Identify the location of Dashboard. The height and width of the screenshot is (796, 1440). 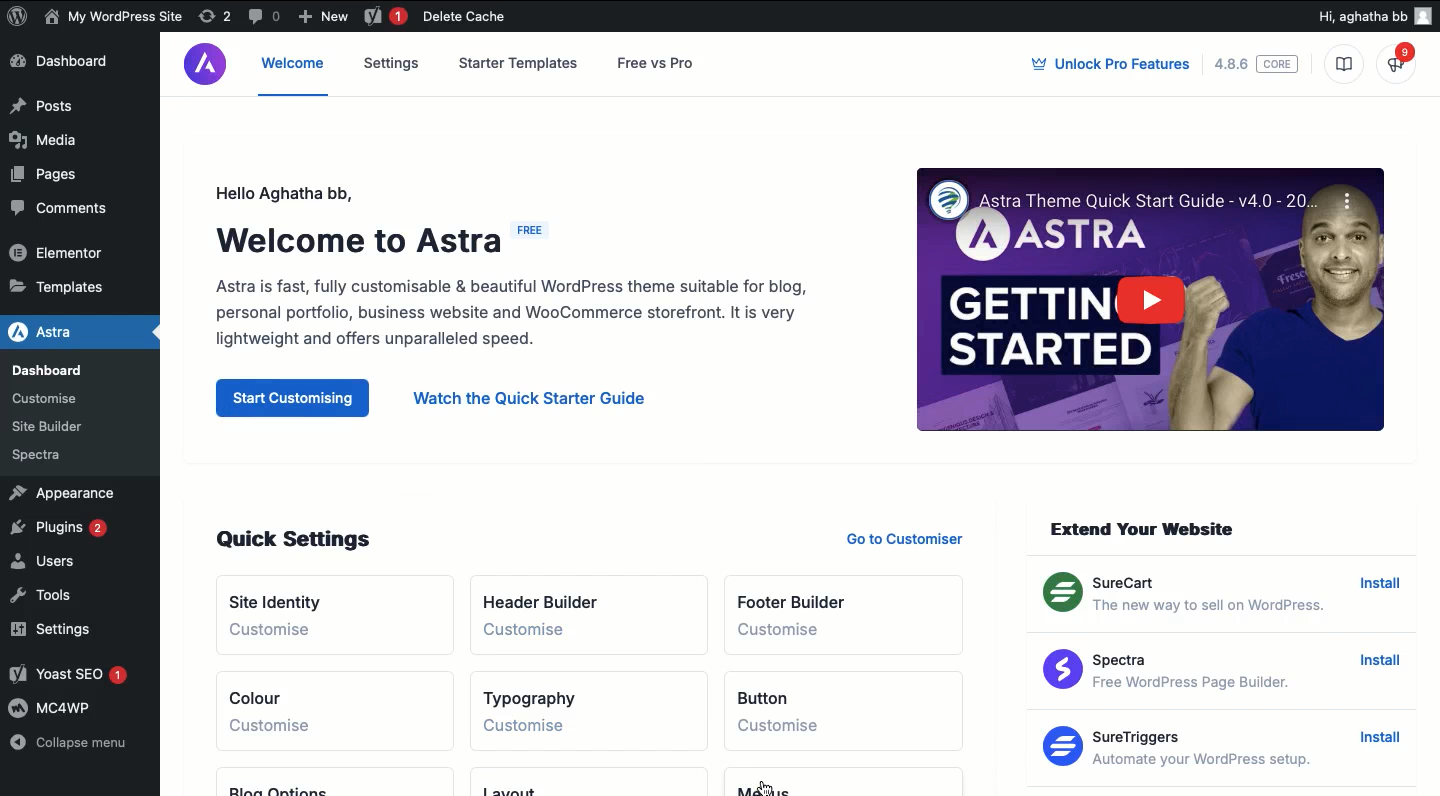
(58, 370).